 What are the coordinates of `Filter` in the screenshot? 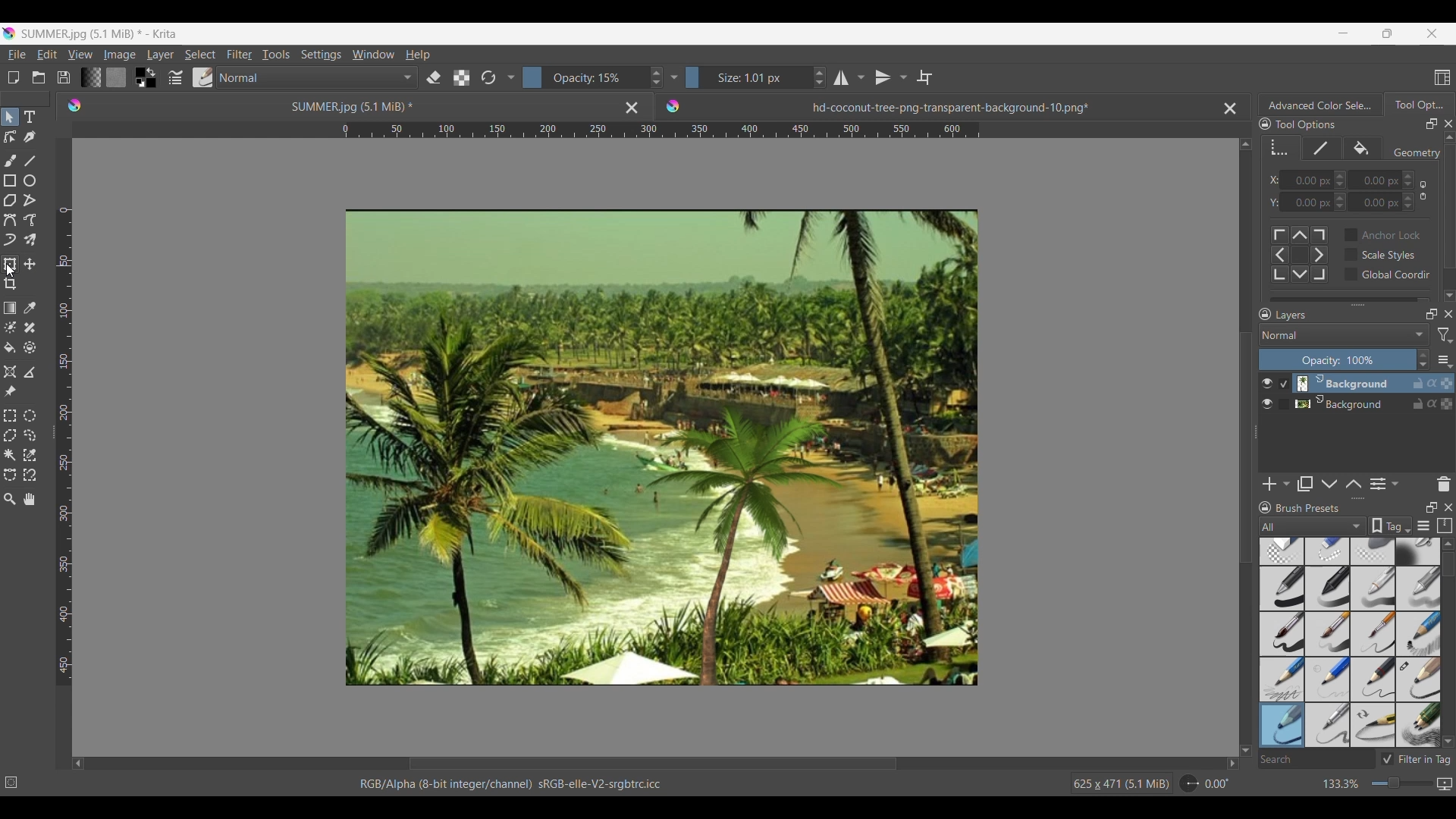 It's located at (239, 55).